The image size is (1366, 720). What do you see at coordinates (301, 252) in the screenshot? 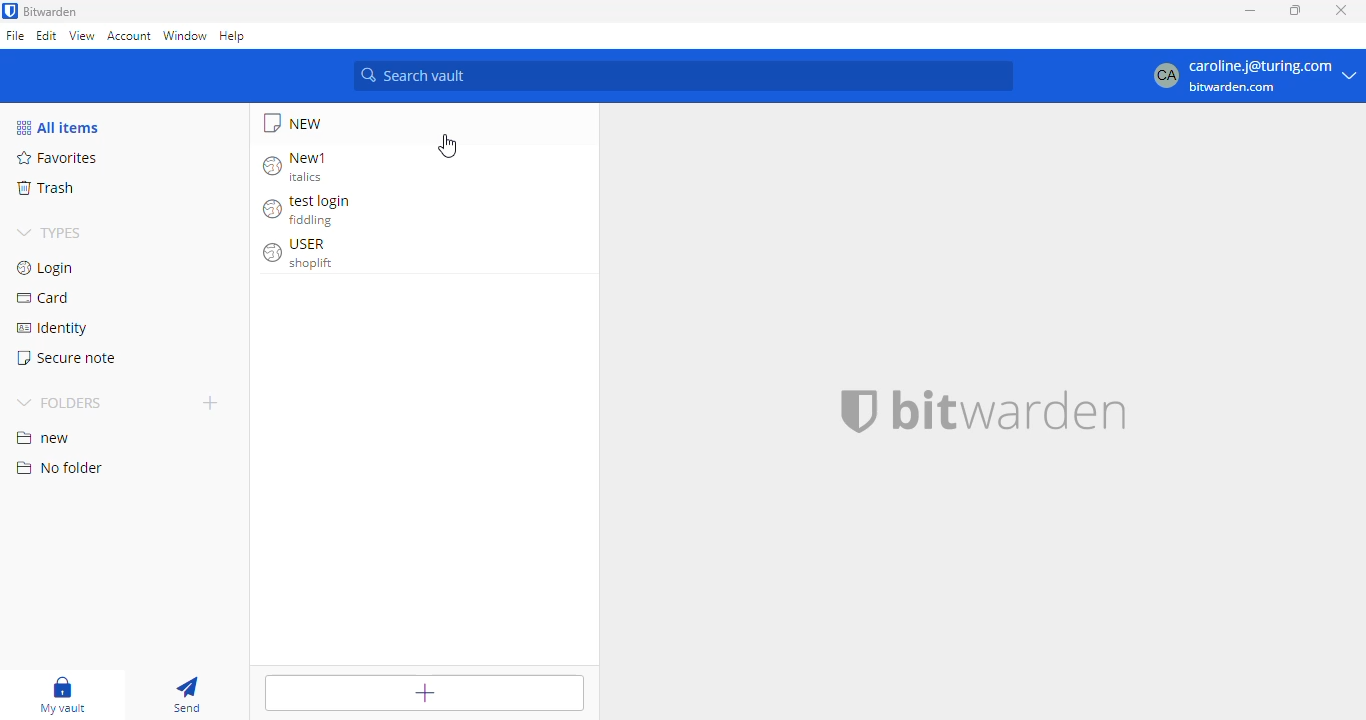
I see `"USER" login entry` at bounding box center [301, 252].